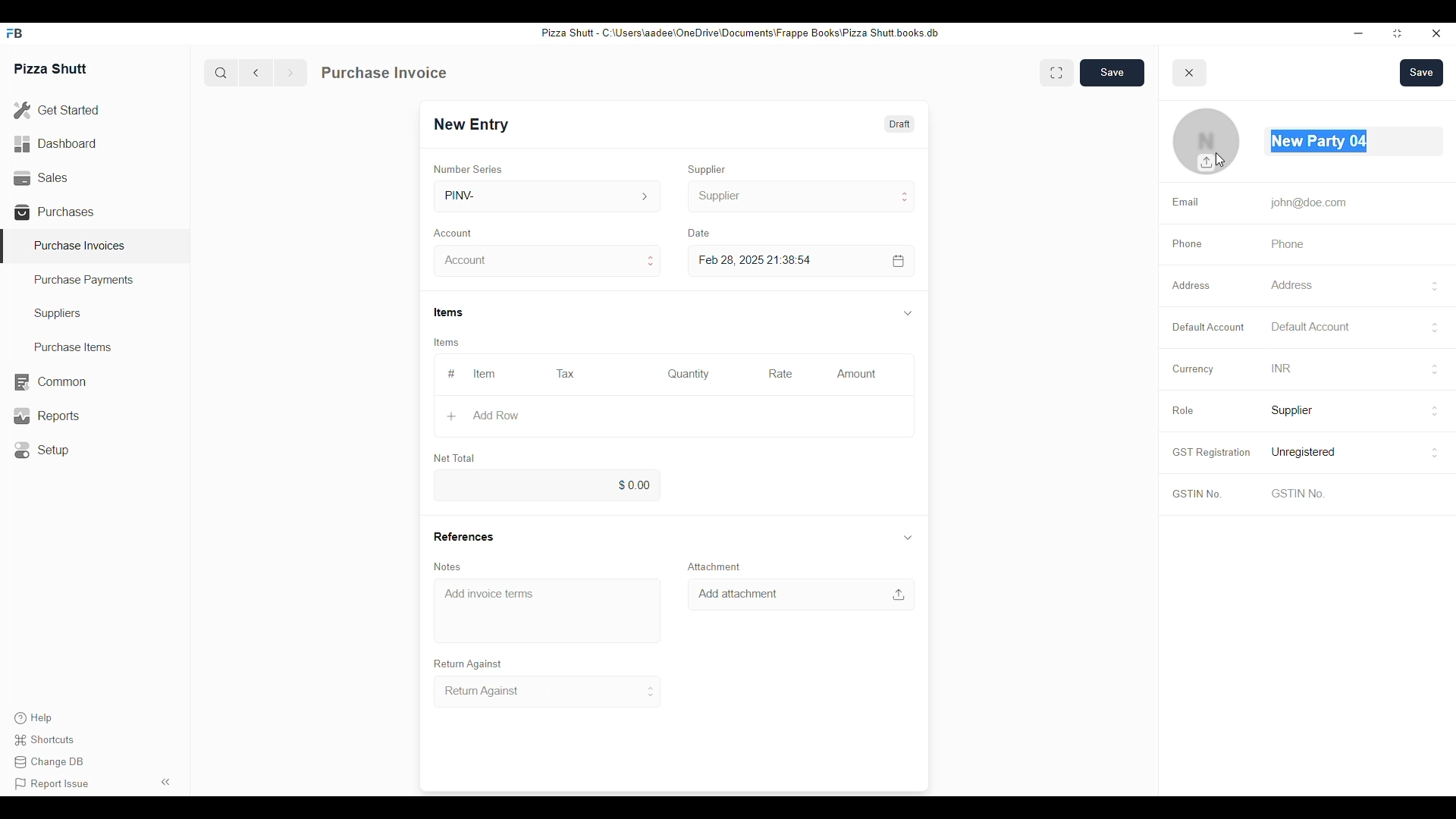 Image resolution: width=1456 pixels, height=819 pixels. Describe the element at coordinates (444, 343) in the screenshot. I see `Items` at that location.